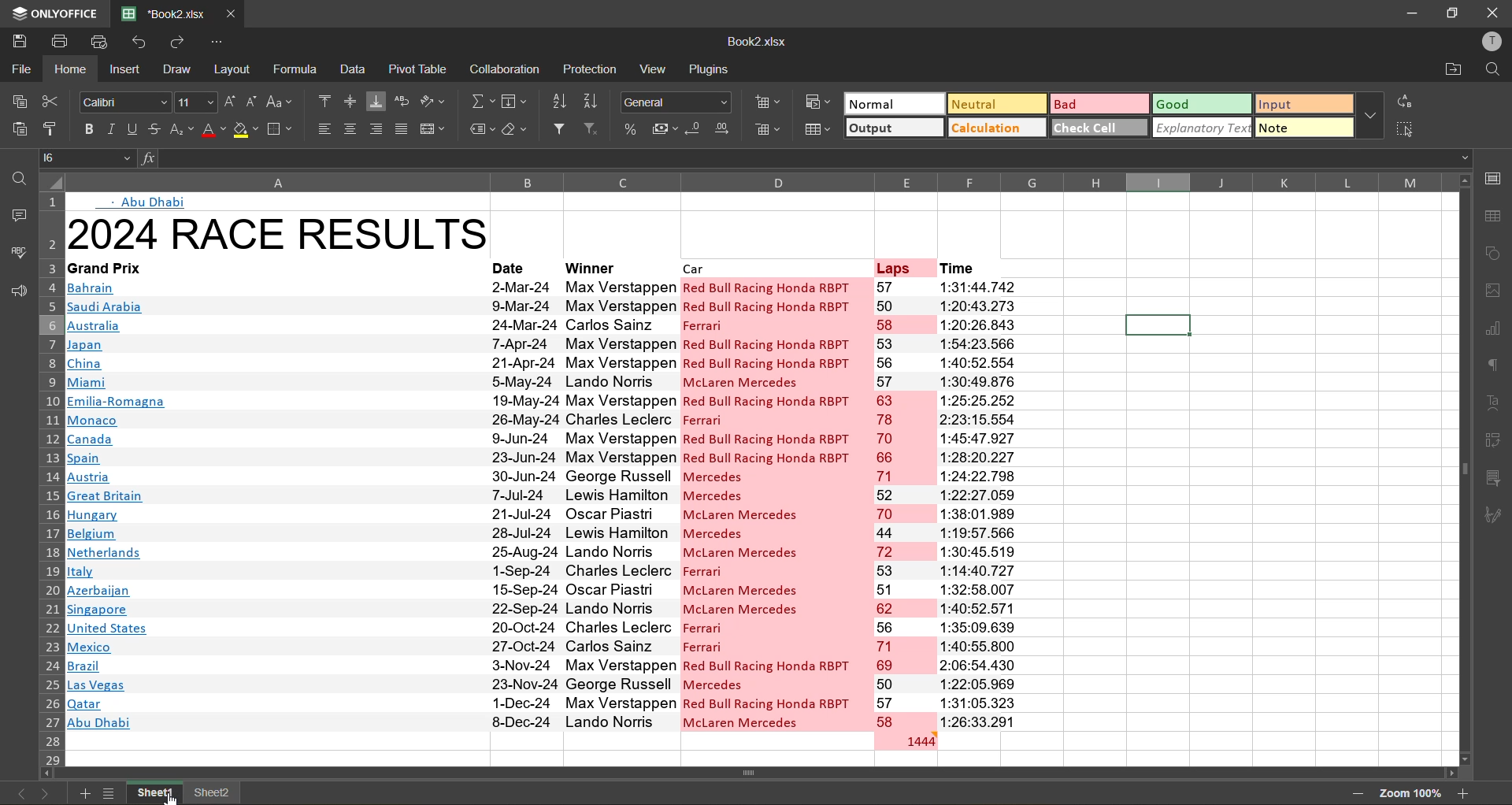 The width and height of the screenshot is (1512, 805). I want to click on close, so click(1493, 14).